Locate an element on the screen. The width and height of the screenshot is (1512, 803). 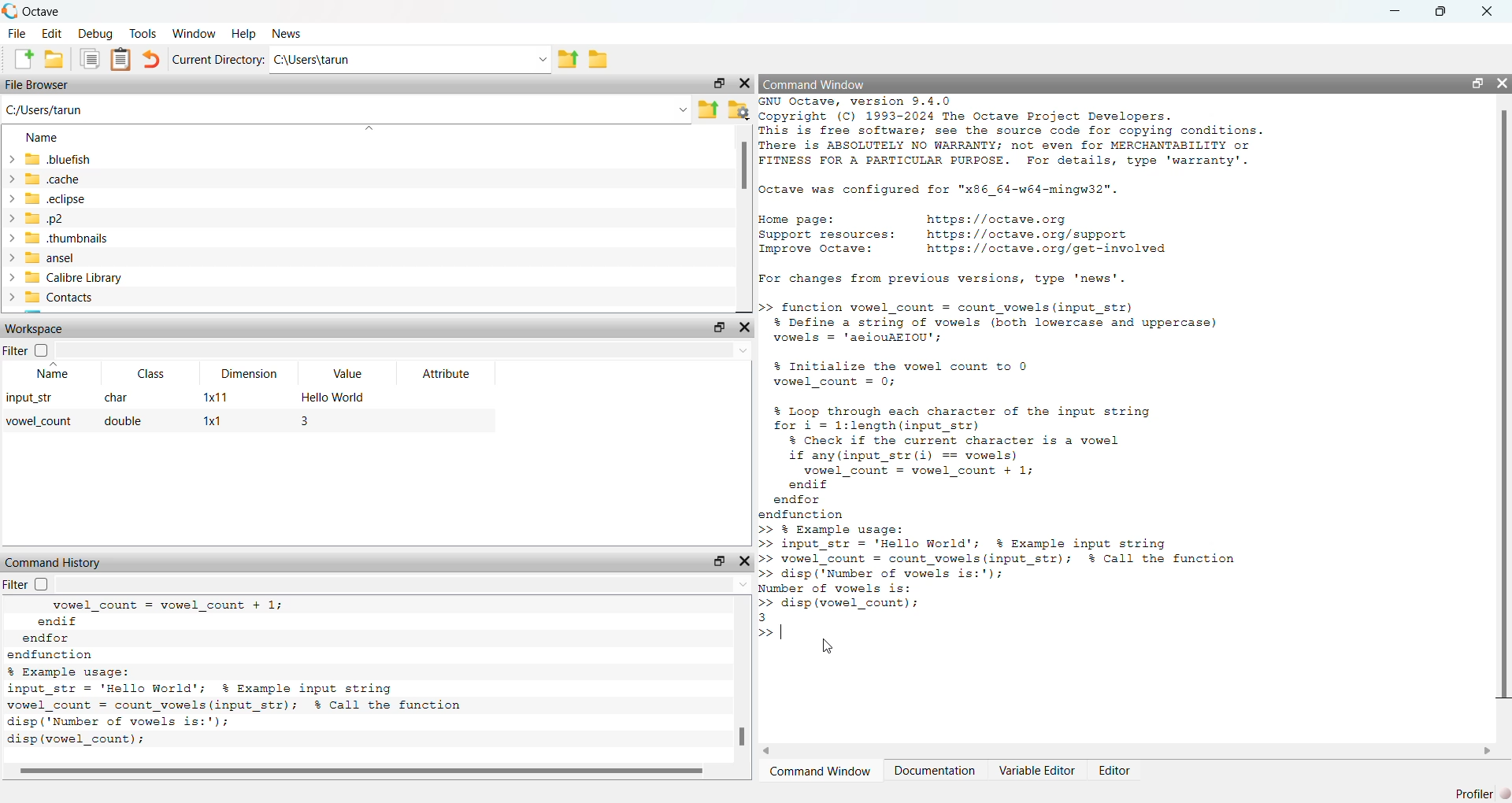
C:/Users/tarun is located at coordinates (44, 110).